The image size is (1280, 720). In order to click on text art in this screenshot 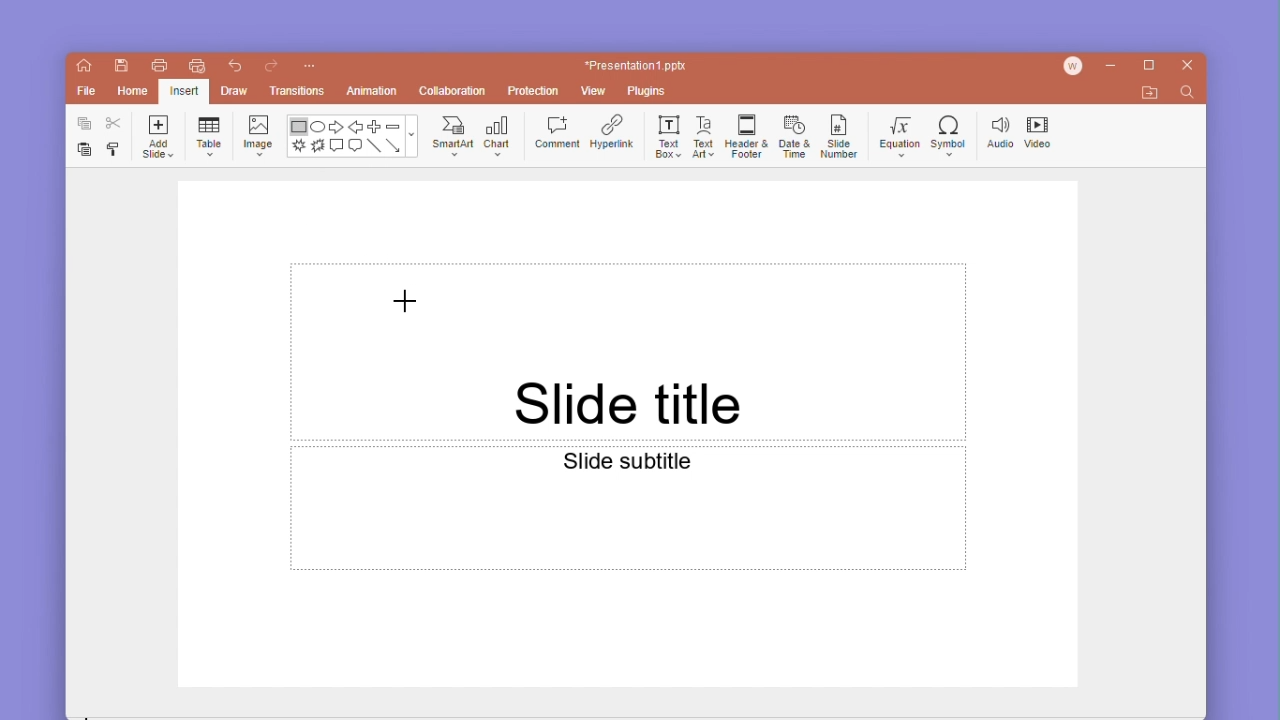, I will do `click(704, 134)`.